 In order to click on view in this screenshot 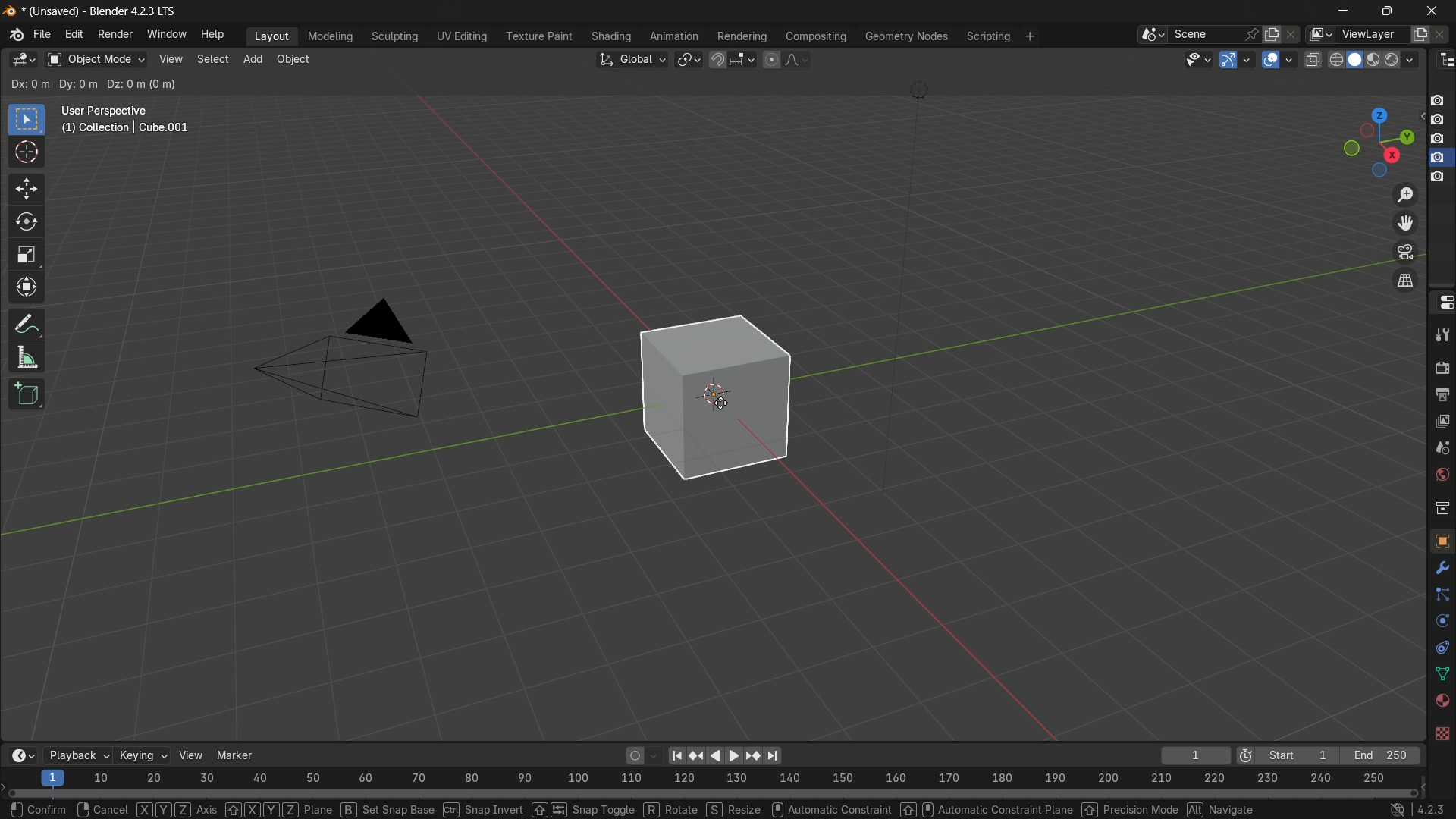, I will do `click(193, 755)`.